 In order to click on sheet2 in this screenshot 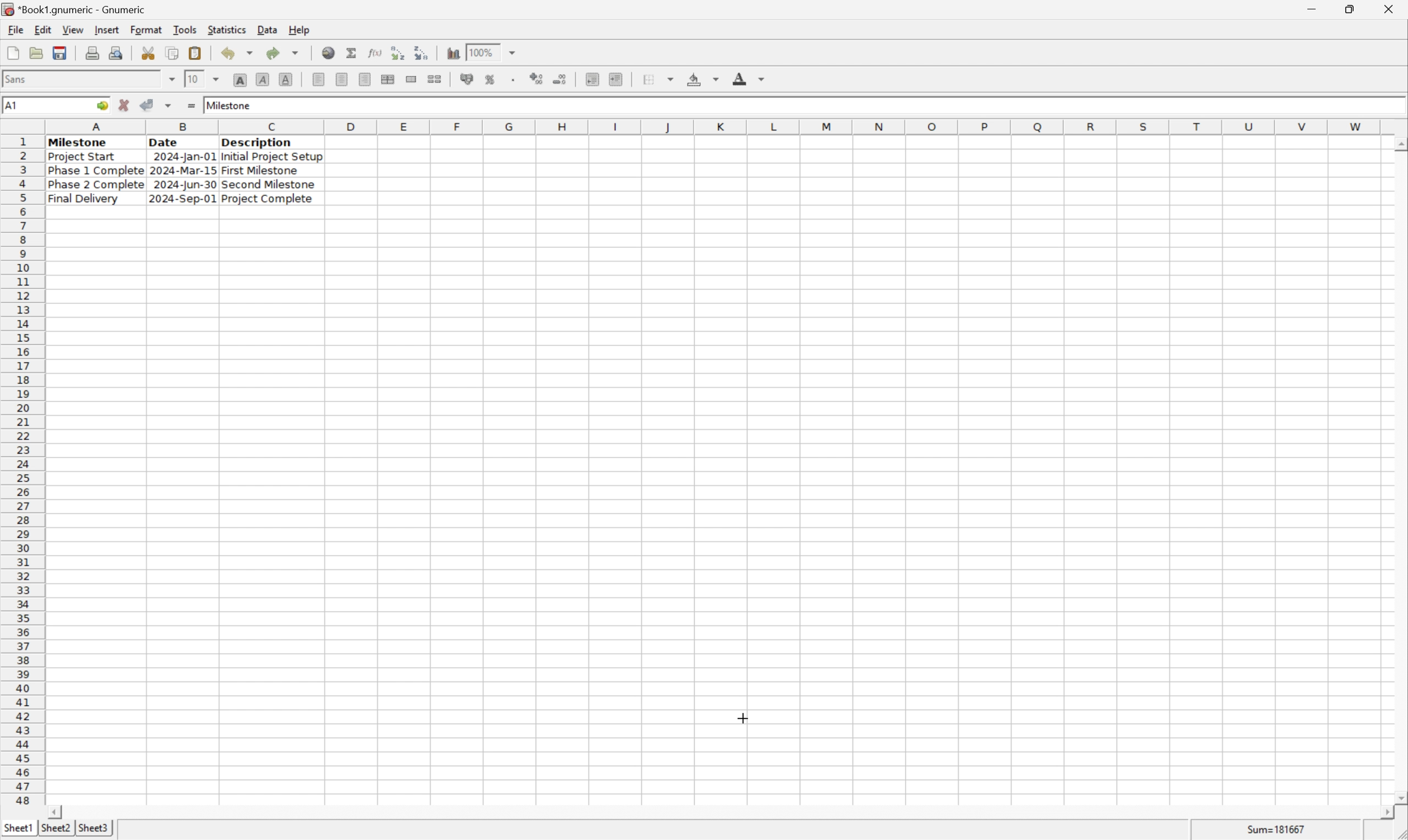, I will do `click(53, 830)`.